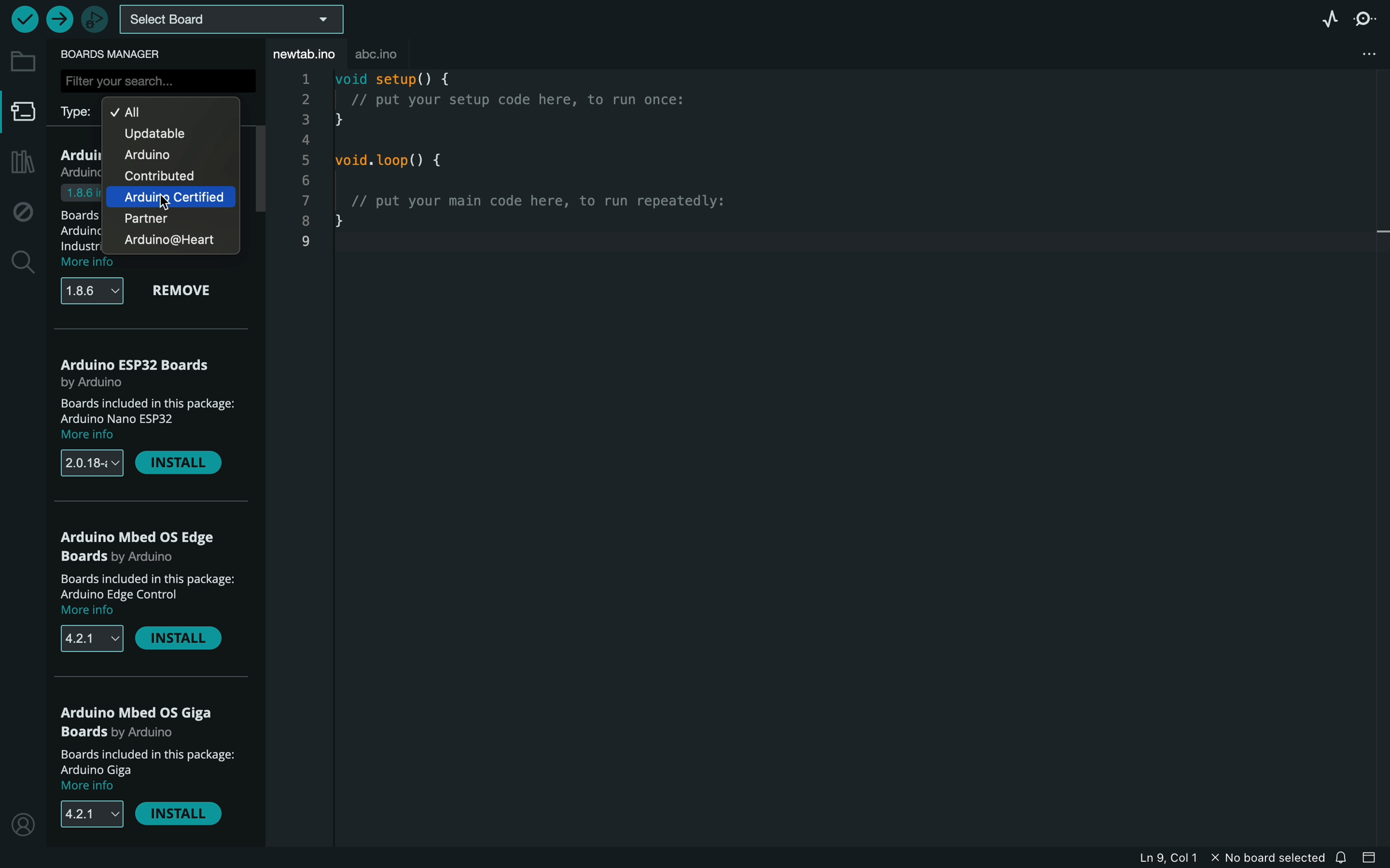 This screenshot has width=1390, height=868. Describe the element at coordinates (169, 197) in the screenshot. I see `arduino` at that location.